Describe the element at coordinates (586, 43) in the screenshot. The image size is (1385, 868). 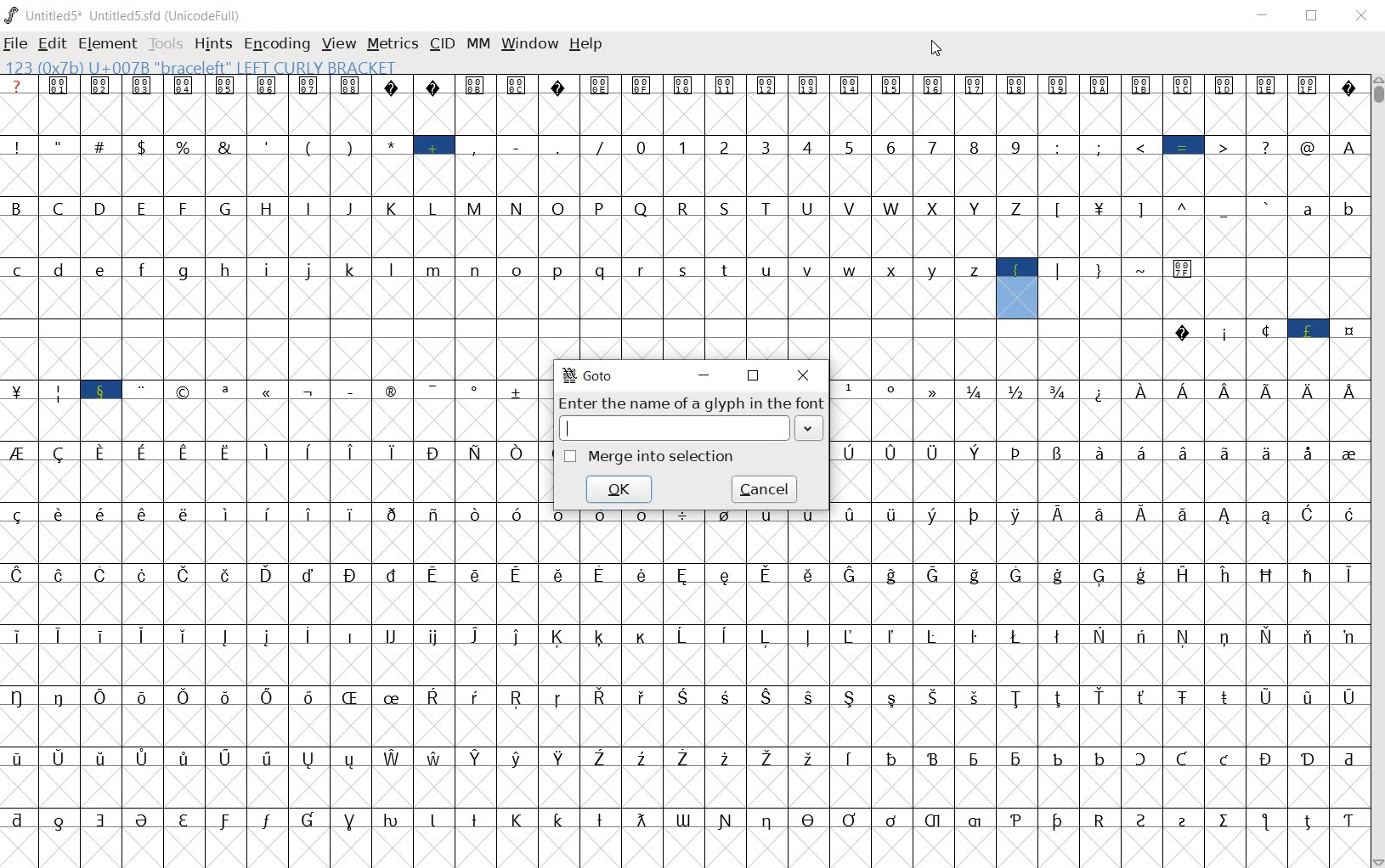
I see `HELP` at that location.